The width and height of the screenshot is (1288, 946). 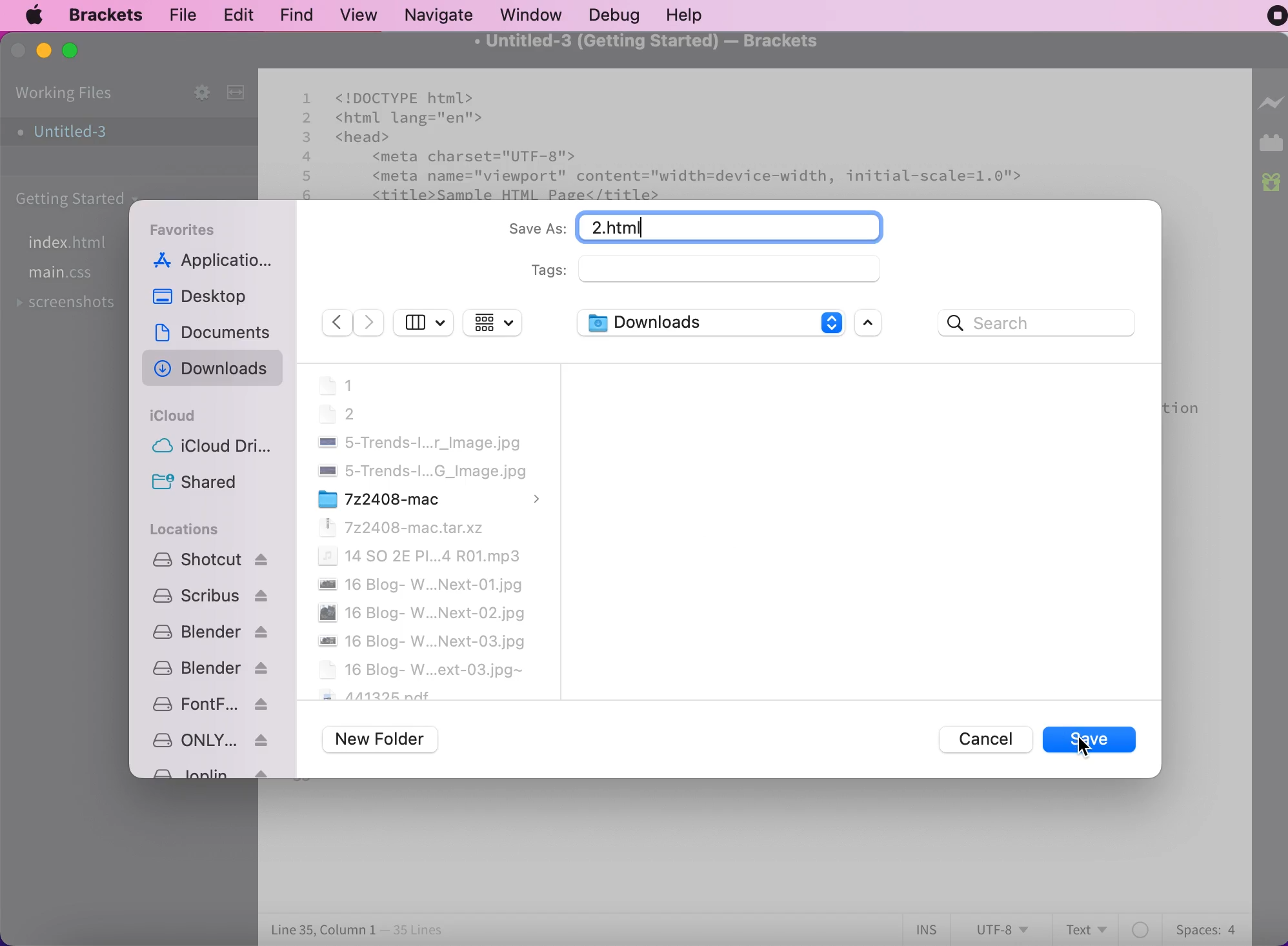 What do you see at coordinates (403, 527) in the screenshot?
I see `7z2408-mac.tar.xz` at bounding box center [403, 527].